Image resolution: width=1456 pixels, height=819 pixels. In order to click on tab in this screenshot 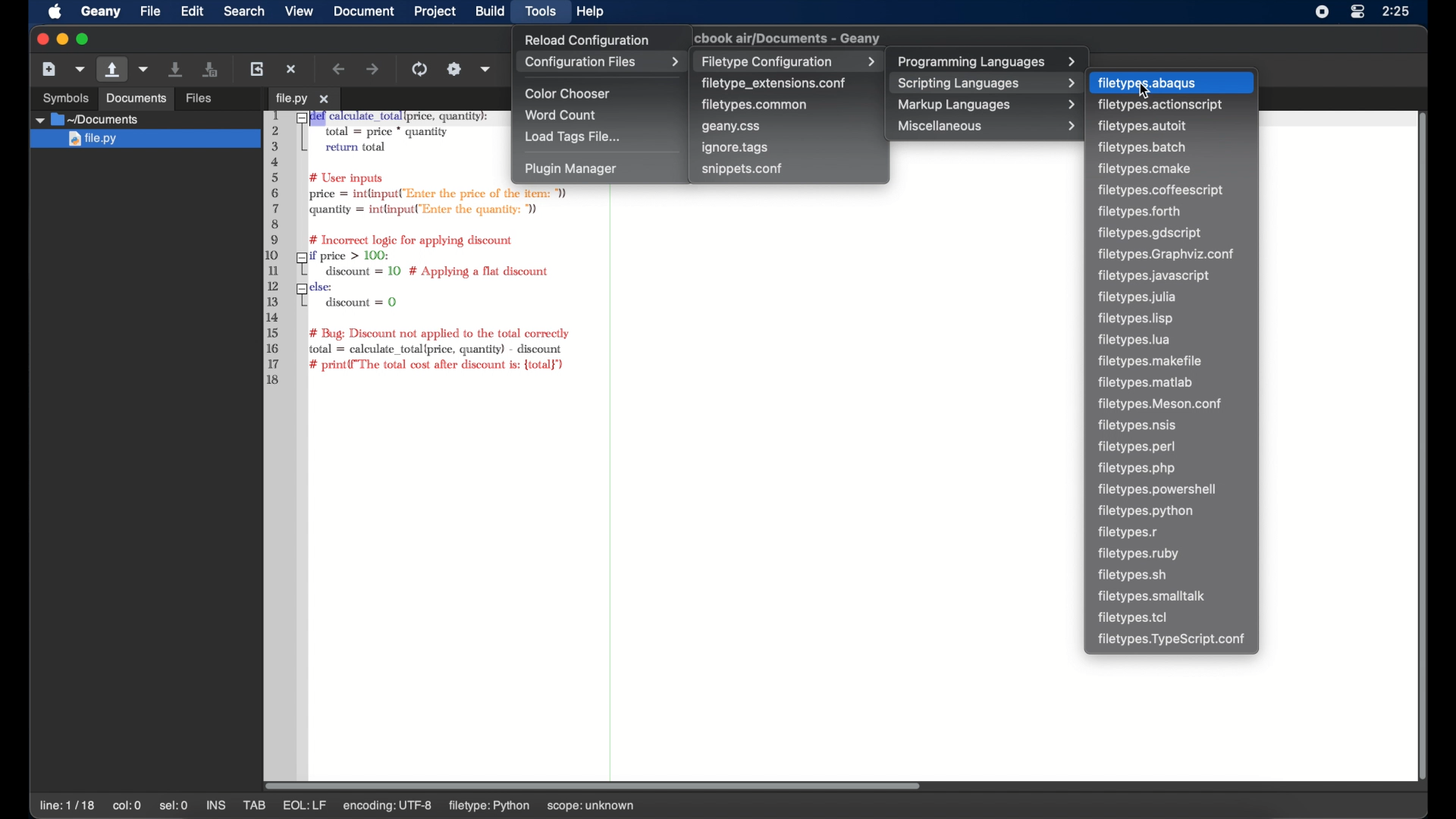, I will do `click(256, 805)`.